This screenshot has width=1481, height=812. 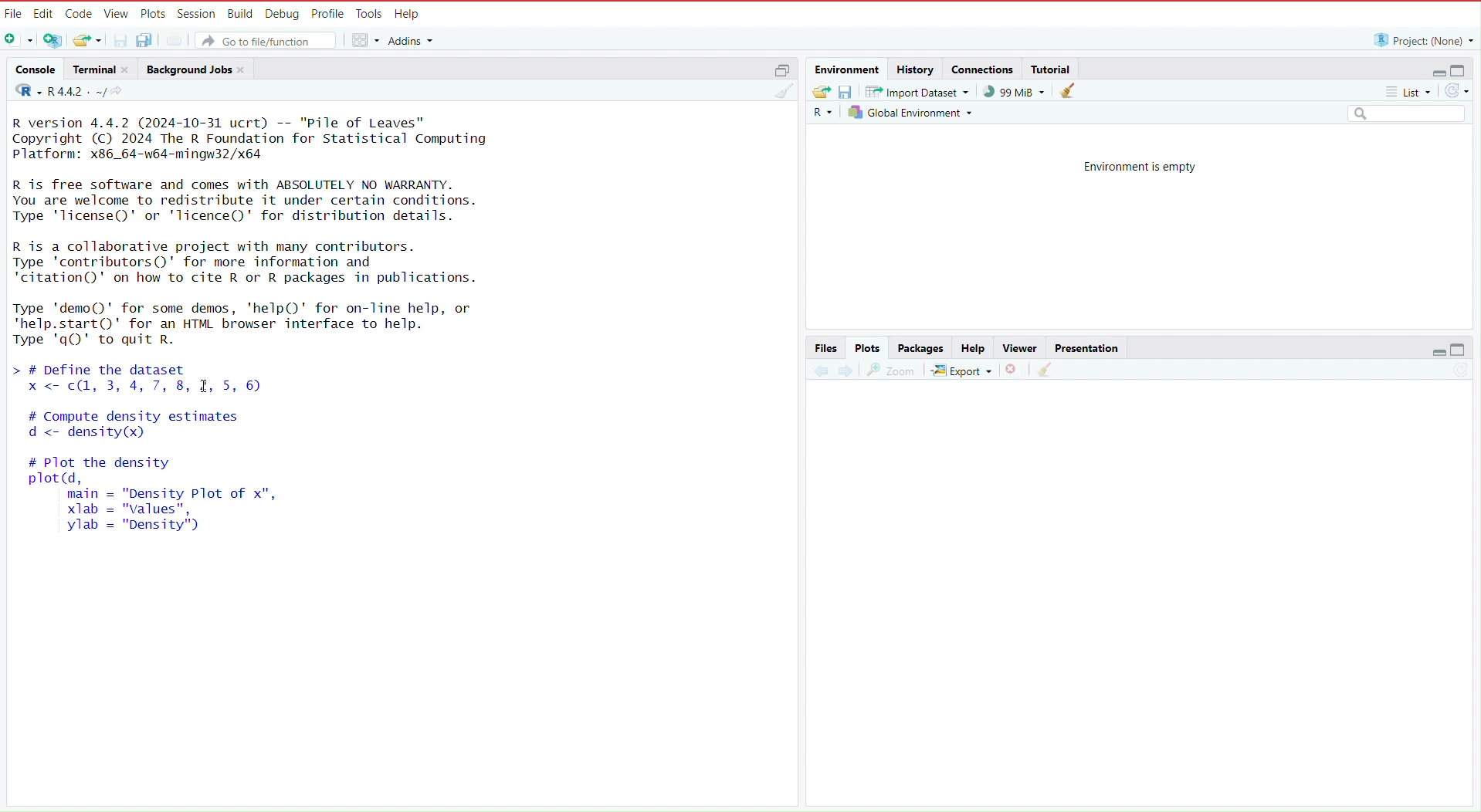 I want to click on plots, so click(x=869, y=347).